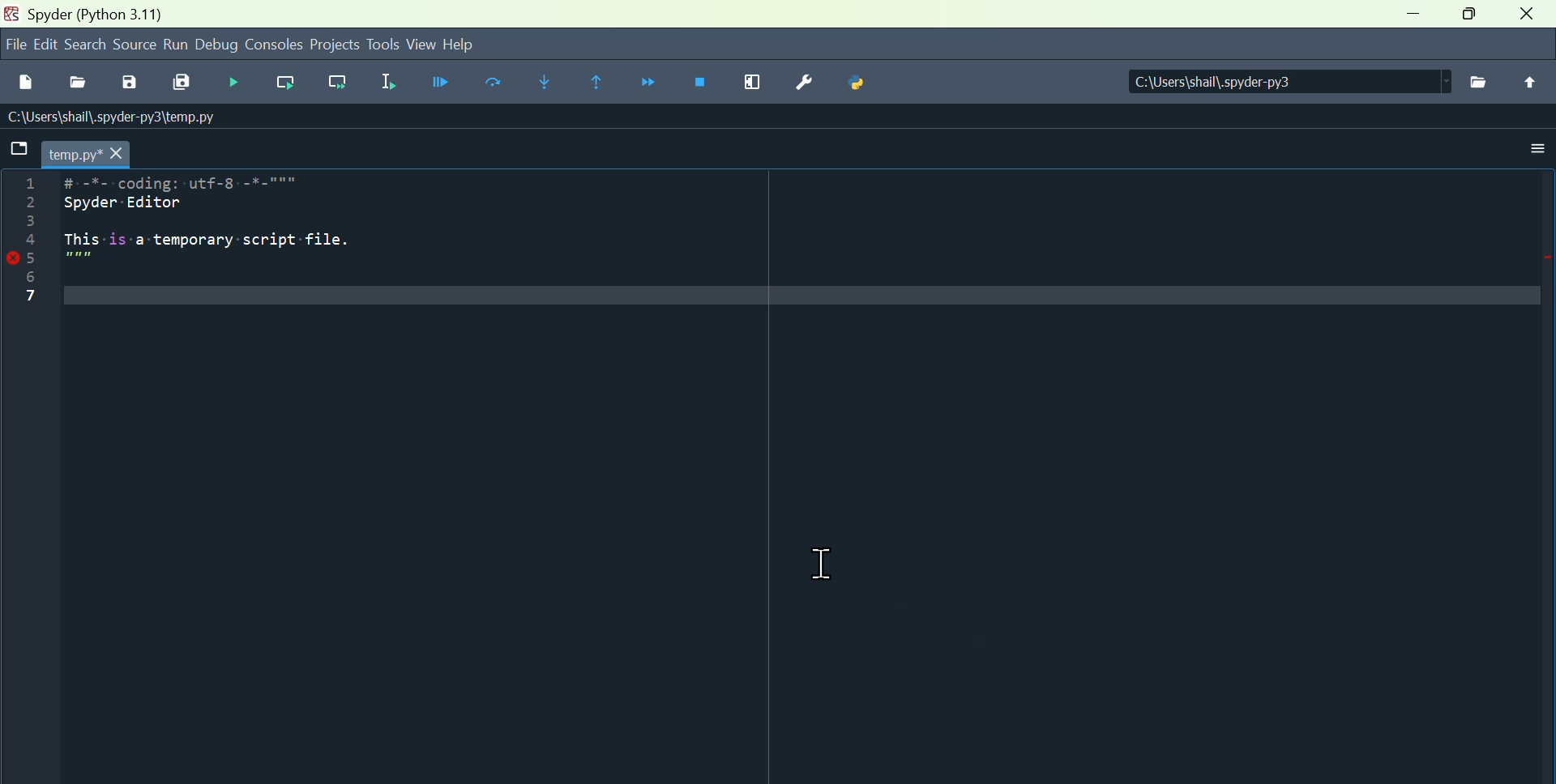 This screenshot has height=784, width=1556. I want to click on save, so click(132, 86).